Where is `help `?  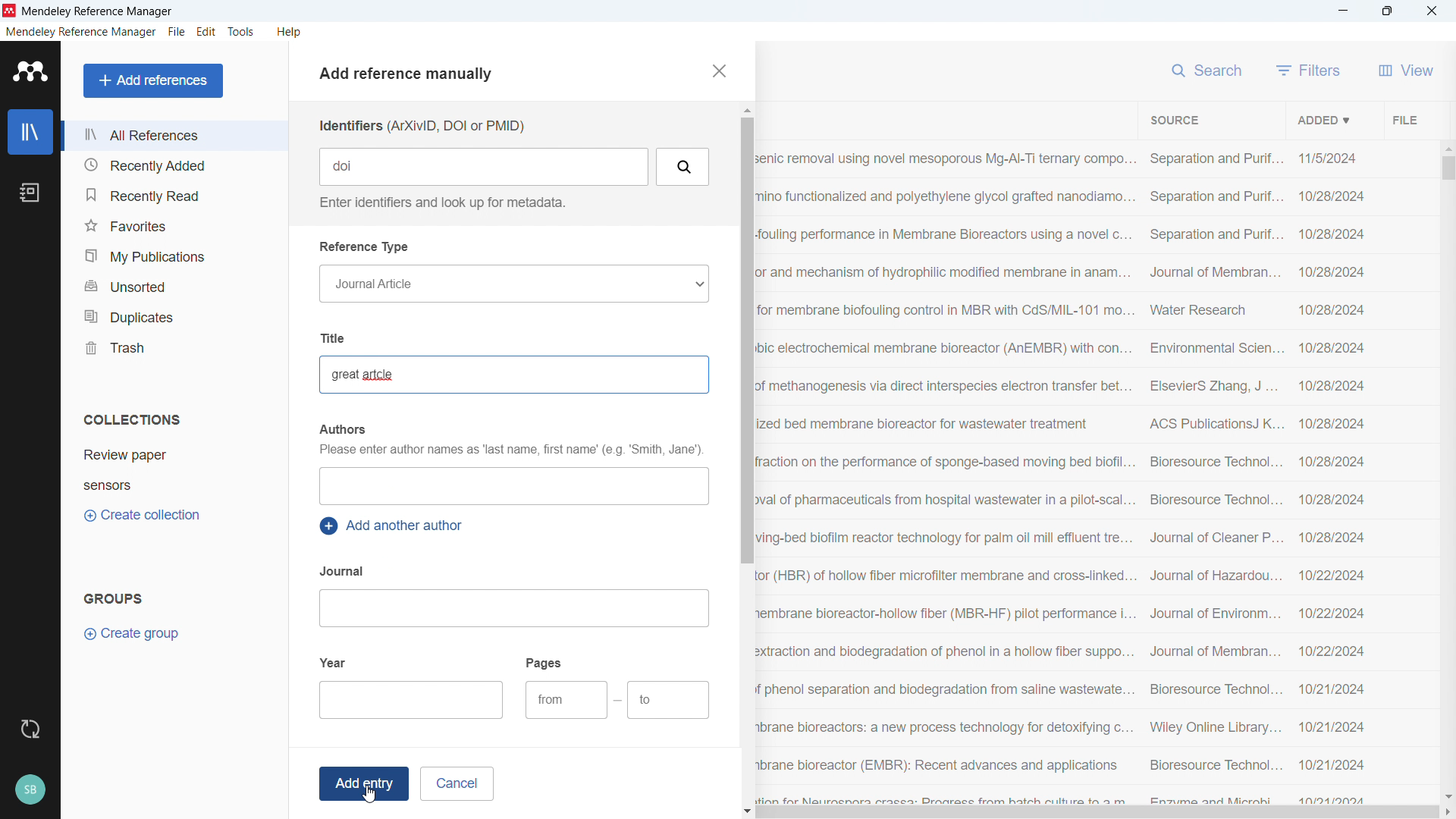
help  is located at coordinates (290, 32).